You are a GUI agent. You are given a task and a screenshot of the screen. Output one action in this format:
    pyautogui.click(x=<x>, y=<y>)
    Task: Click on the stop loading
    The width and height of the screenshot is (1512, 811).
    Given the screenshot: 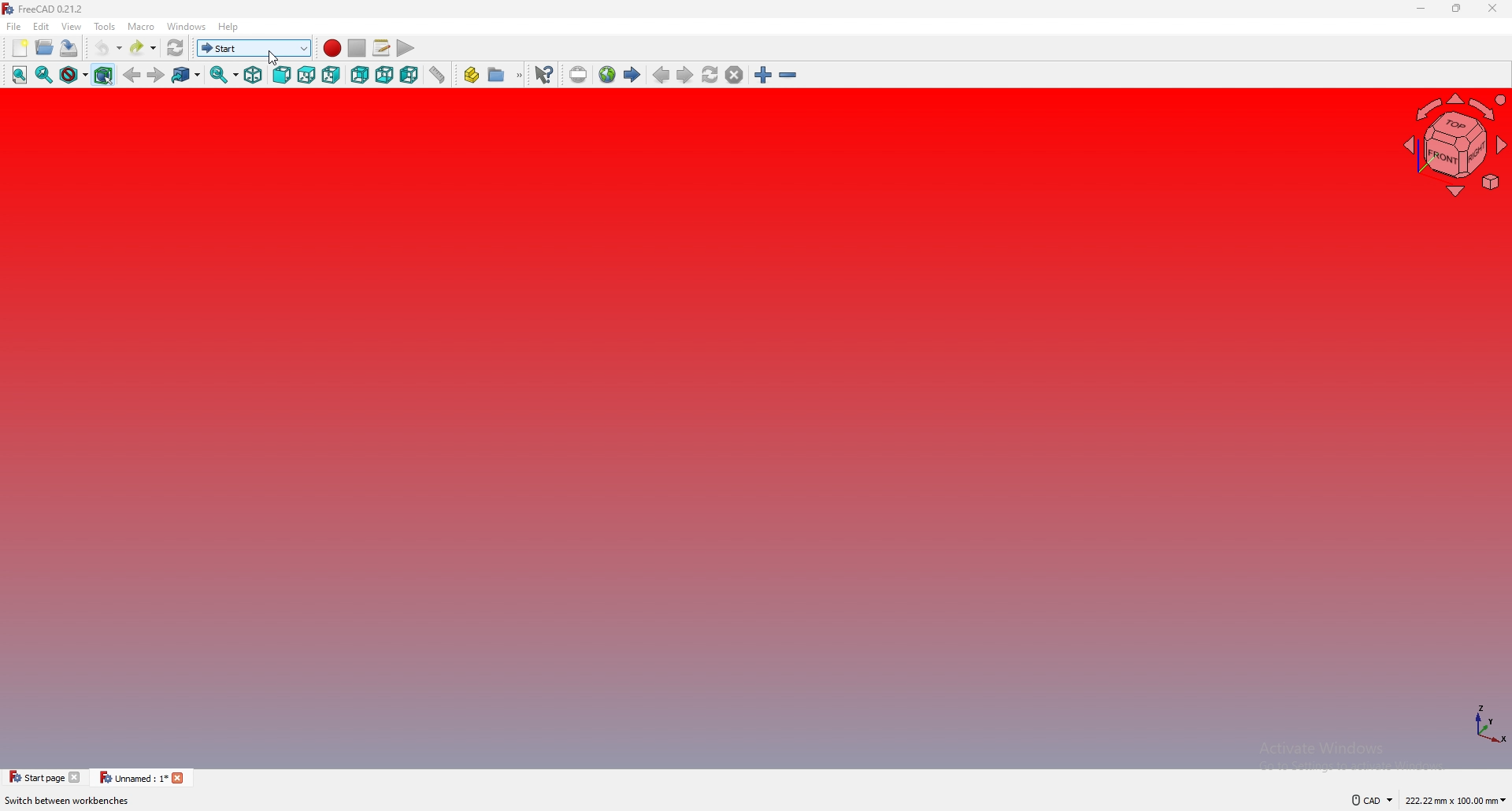 What is the action you would take?
    pyautogui.click(x=734, y=74)
    